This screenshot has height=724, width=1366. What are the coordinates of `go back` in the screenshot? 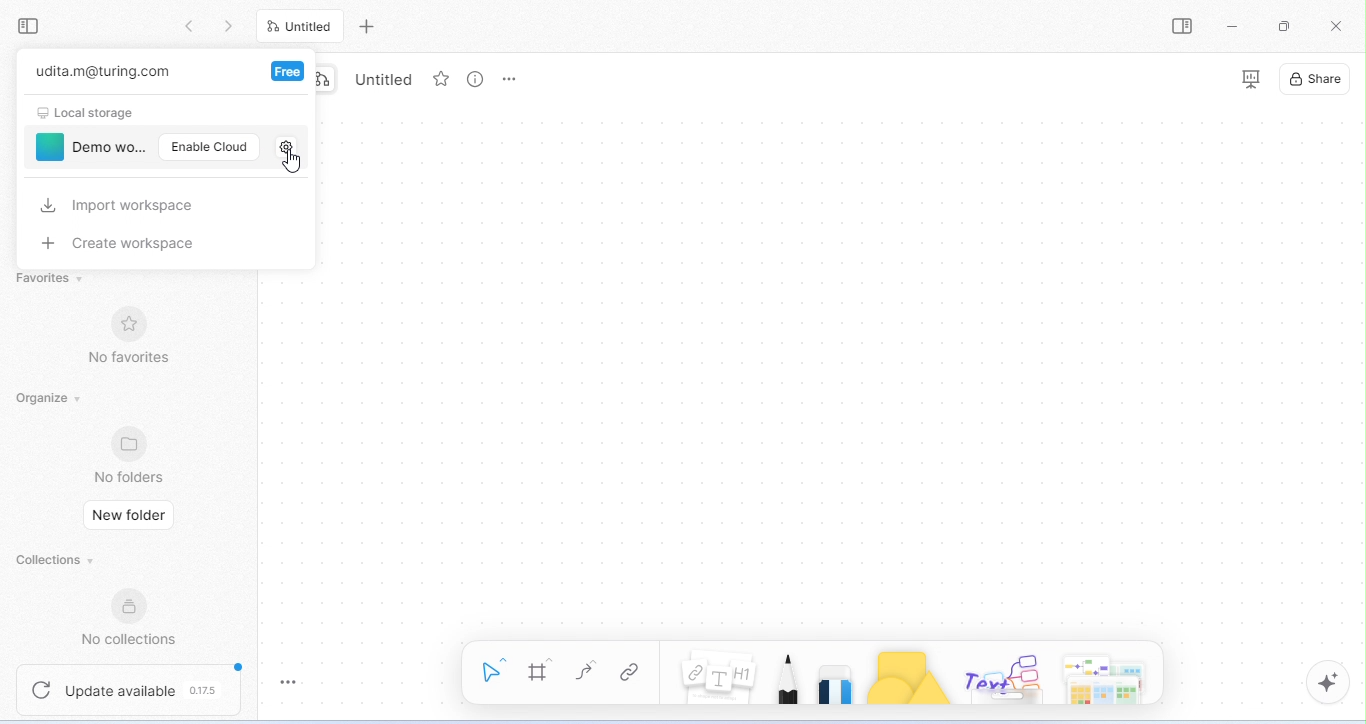 It's located at (190, 26).